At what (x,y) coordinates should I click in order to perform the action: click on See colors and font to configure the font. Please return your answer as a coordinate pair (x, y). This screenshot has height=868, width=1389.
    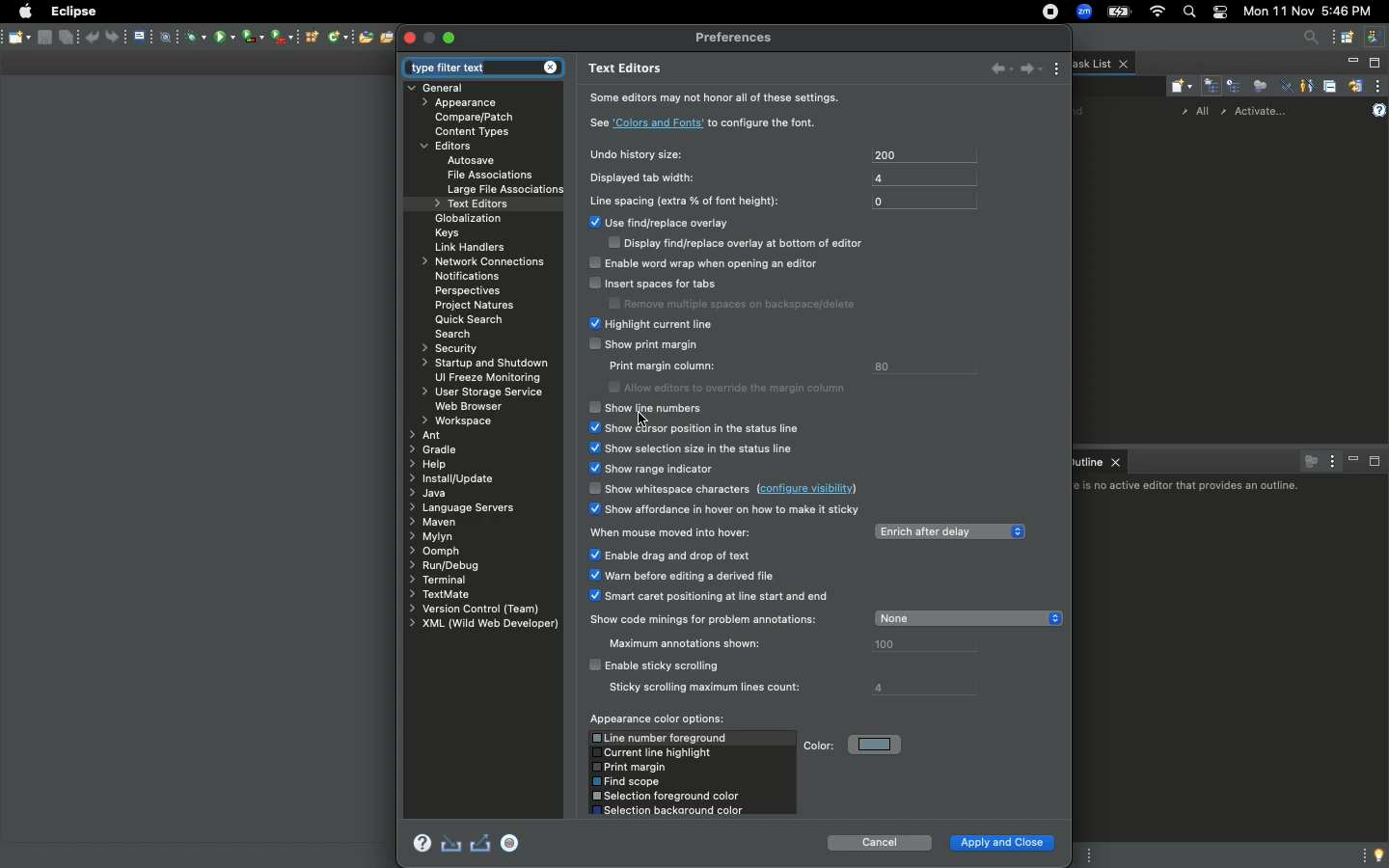
    Looking at the image, I should click on (705, 122).